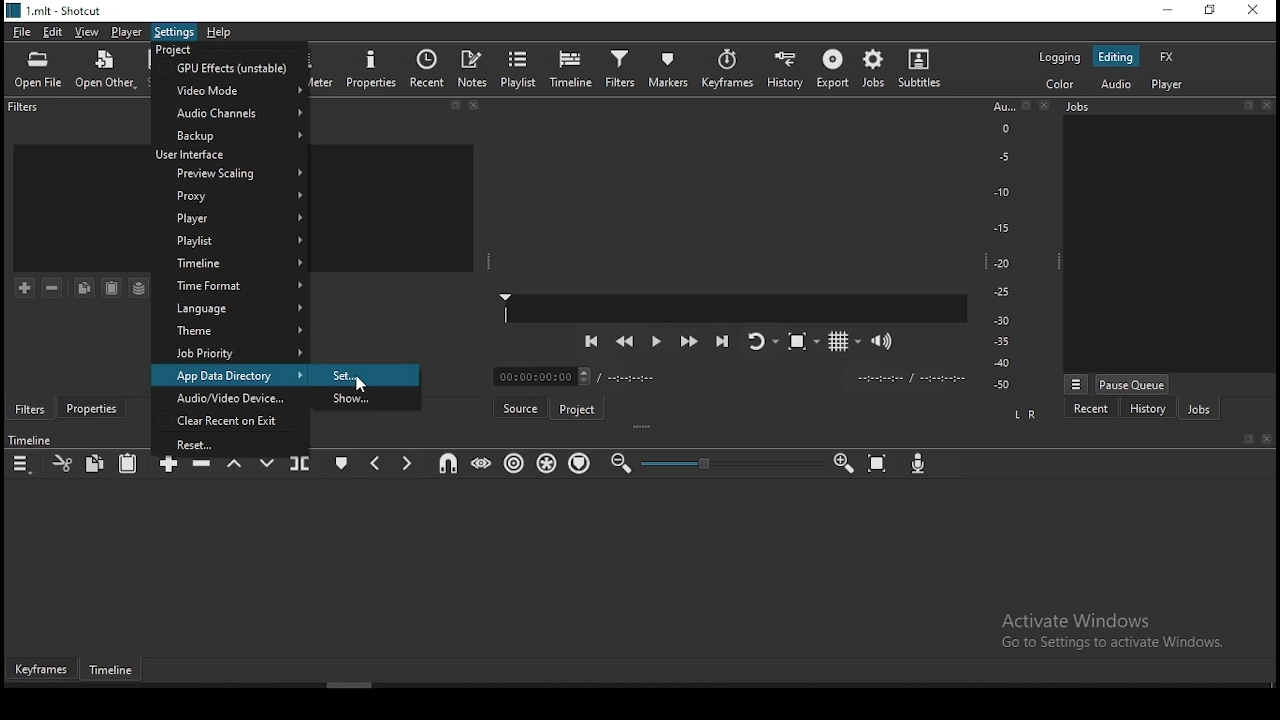  What do you see at coordinates (1247, 104) in the screenshot?
I see `Bookmark` at bounding box center [1247, 104].